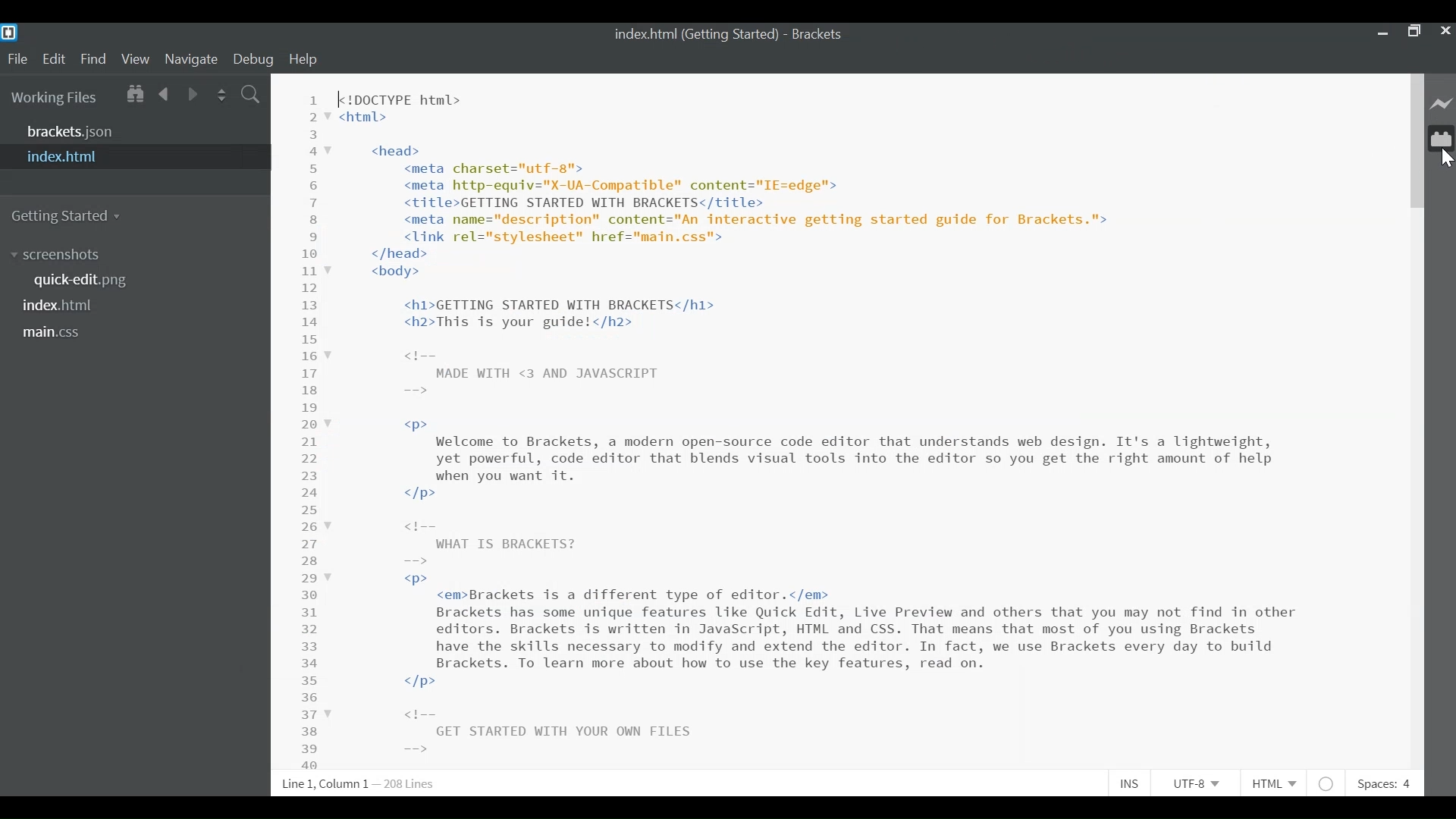 The image size is (1456, 819). Describe the element at coordinates (63, 255) in the screenshot. I see `screenshot` at that location.